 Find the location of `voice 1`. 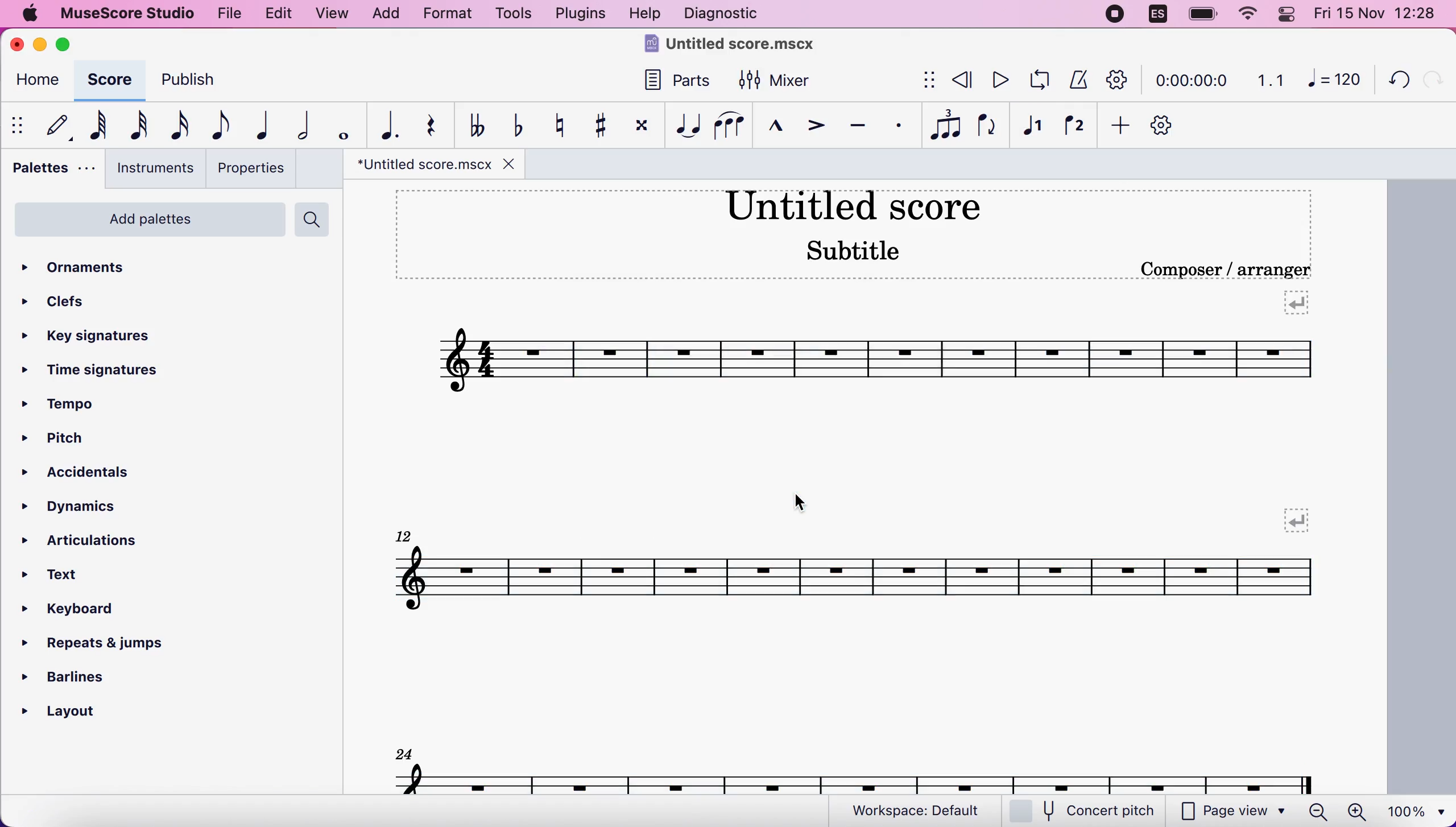

voice 1 is located at coordinates (1033, 127).